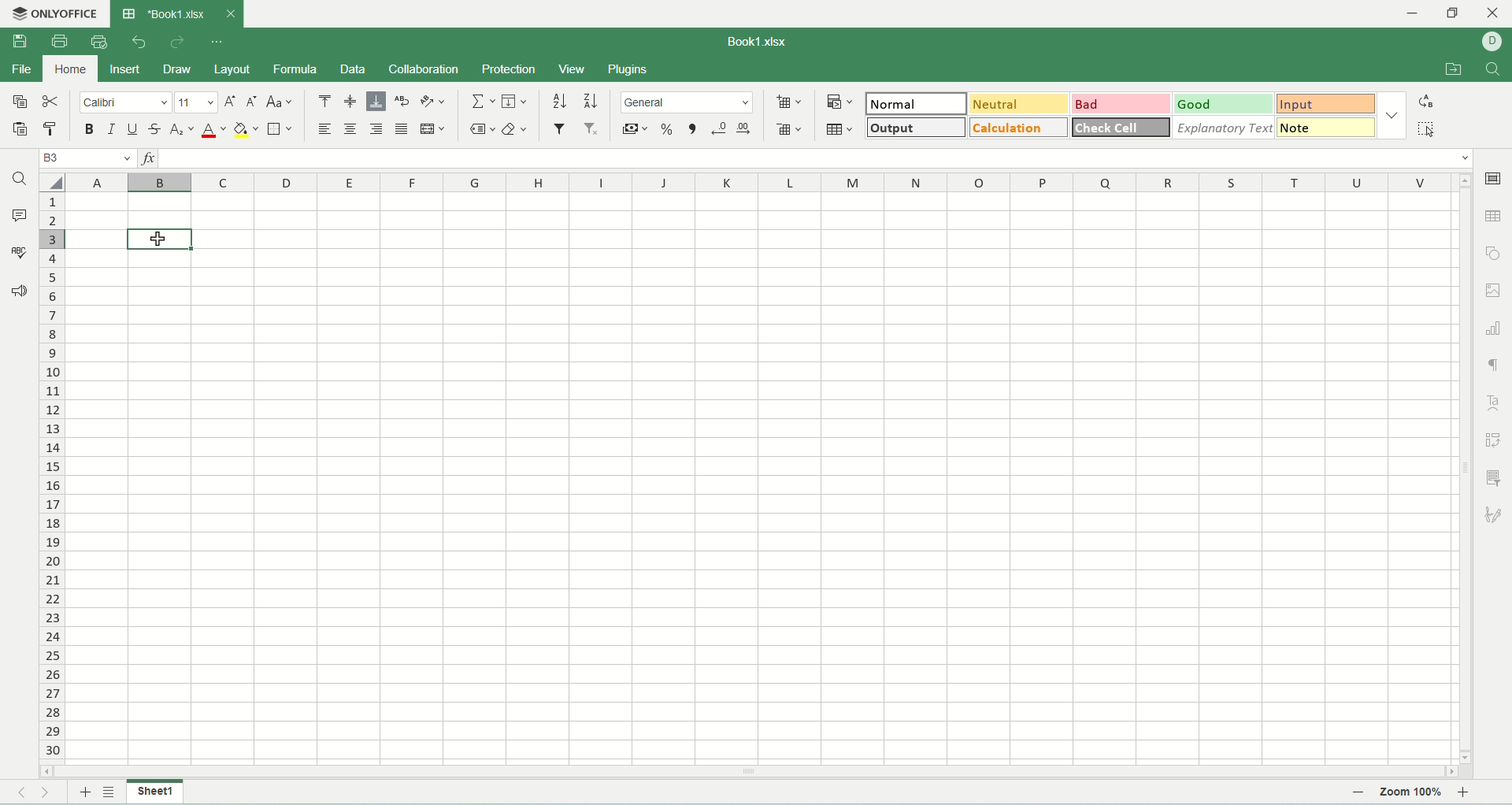 This screenshot has width=1512, height=805. Describe the element at coordinates (53, 477) in the screenshot. I see `row number` at that location.